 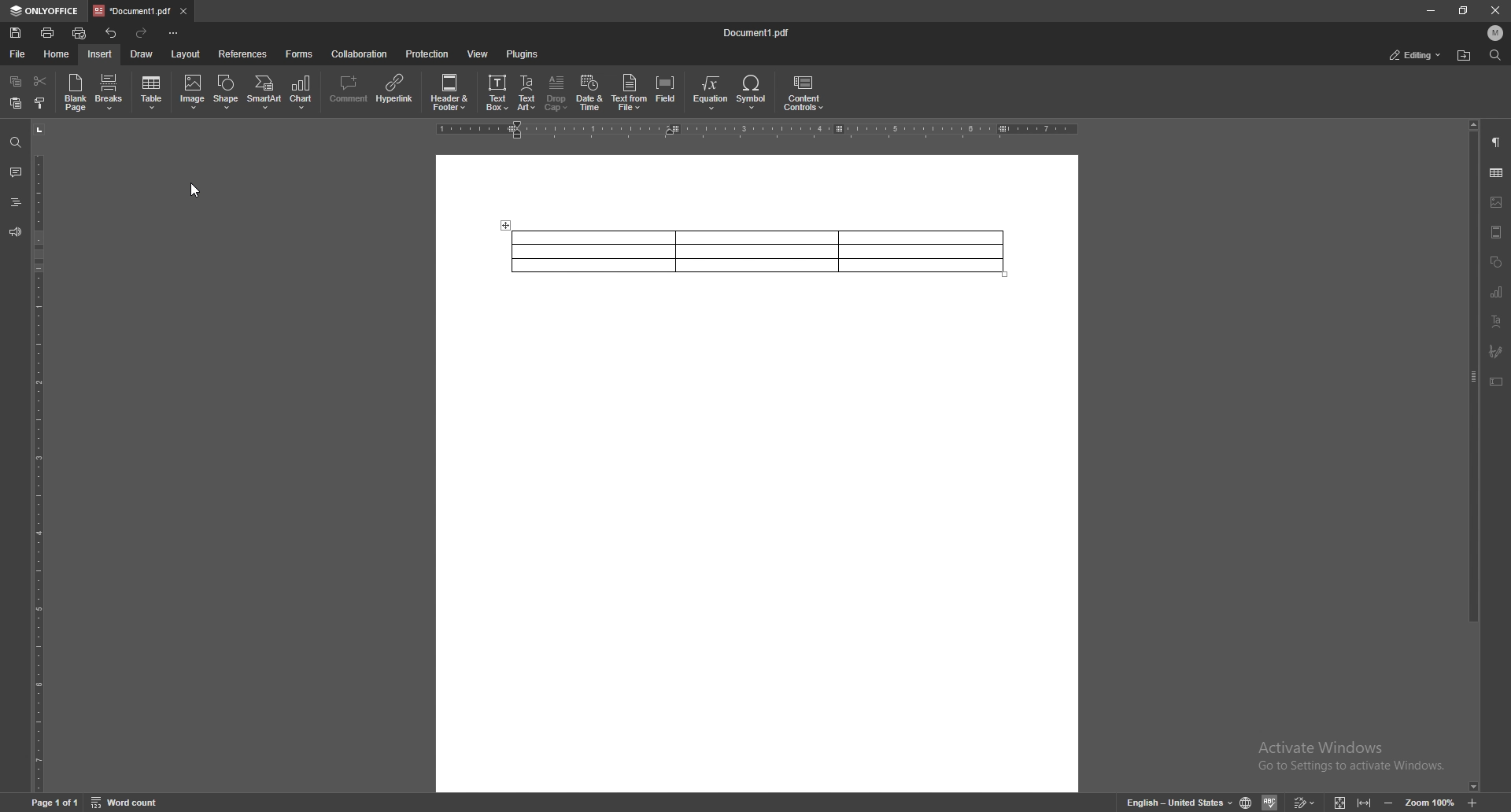 I want to click on symbol, so click(x=754, y=94).